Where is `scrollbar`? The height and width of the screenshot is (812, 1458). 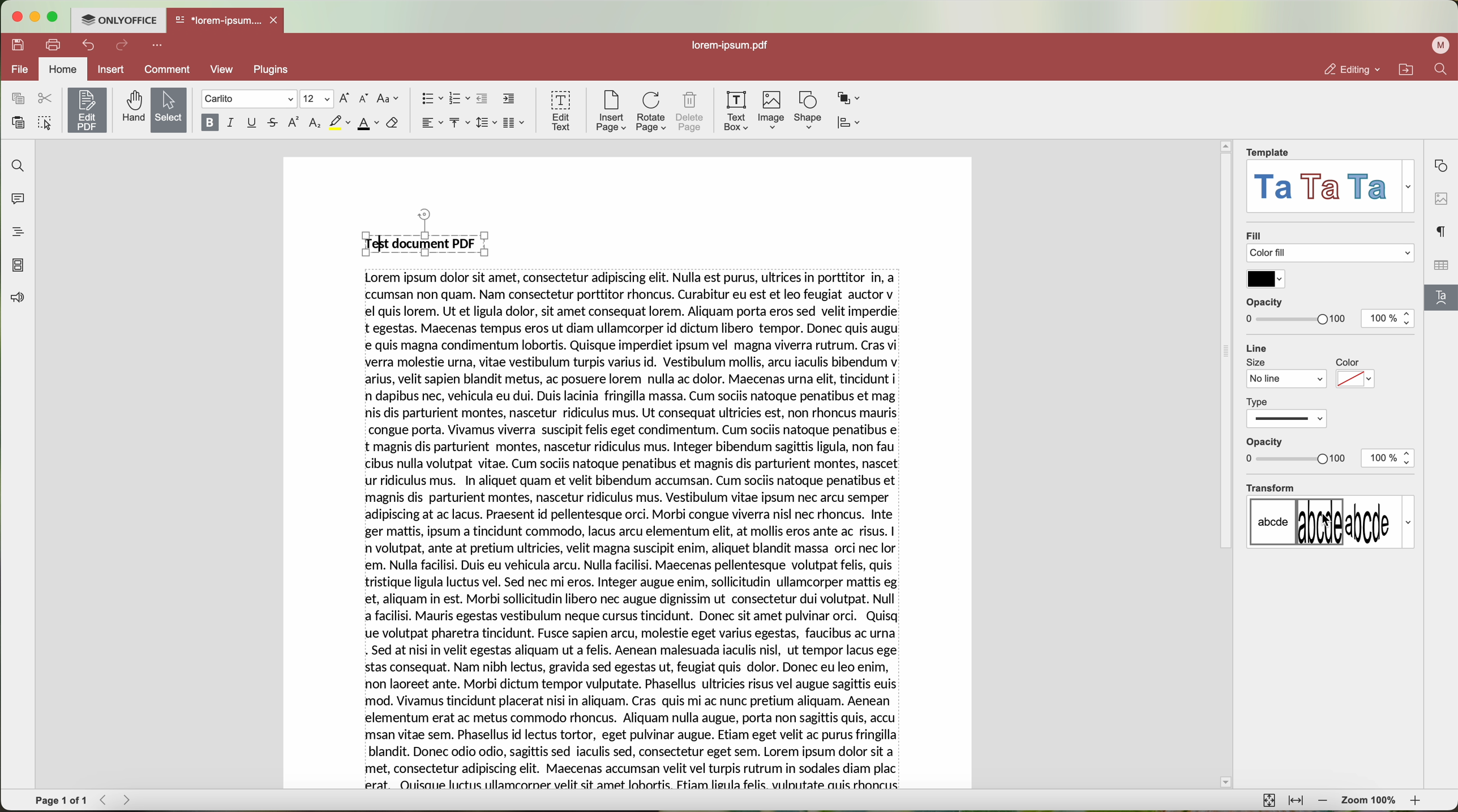
scrollbar is located at coordinates (1226, 472).